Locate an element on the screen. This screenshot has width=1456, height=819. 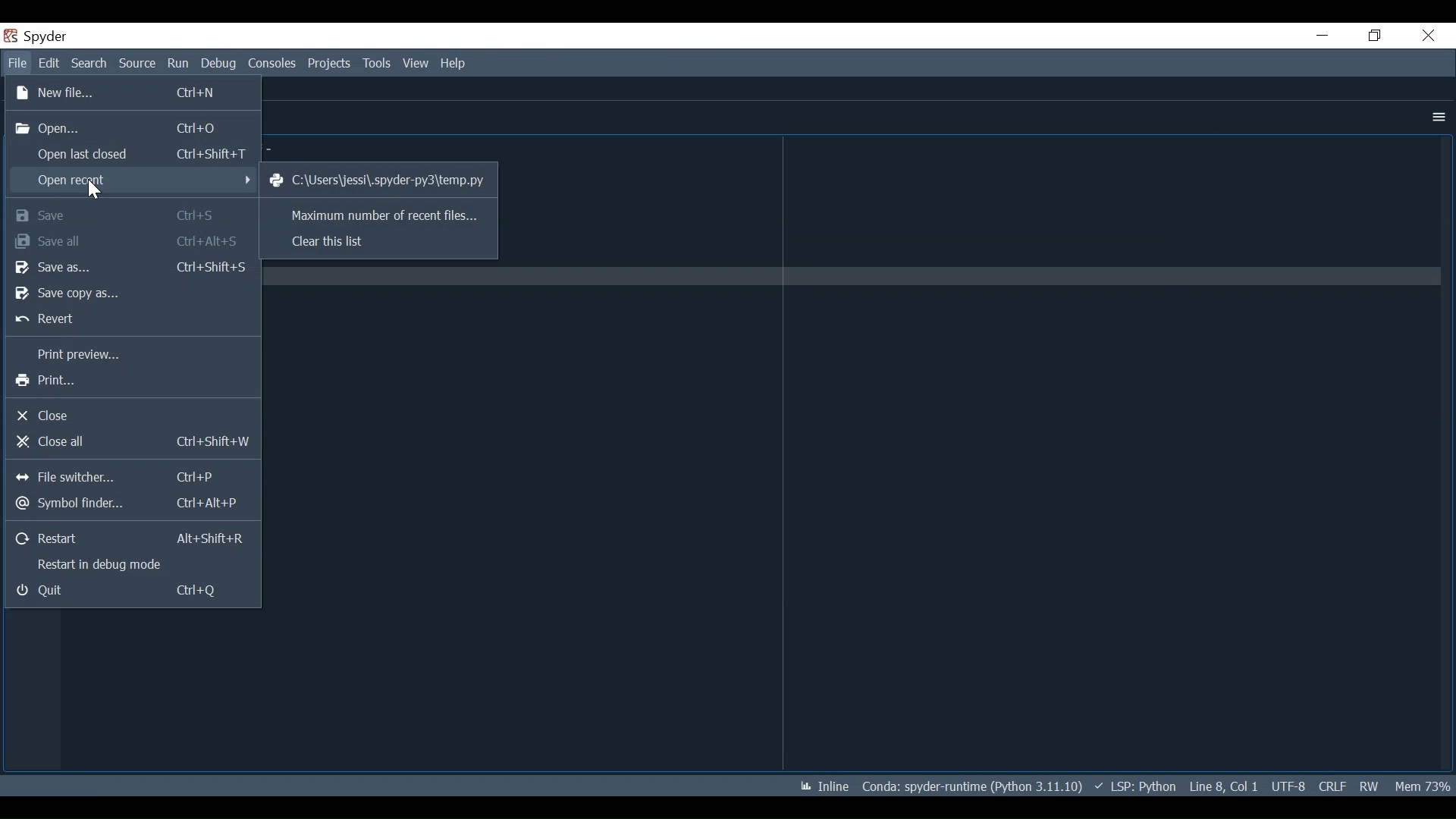
Cursor is located at coordinates (93, 190).